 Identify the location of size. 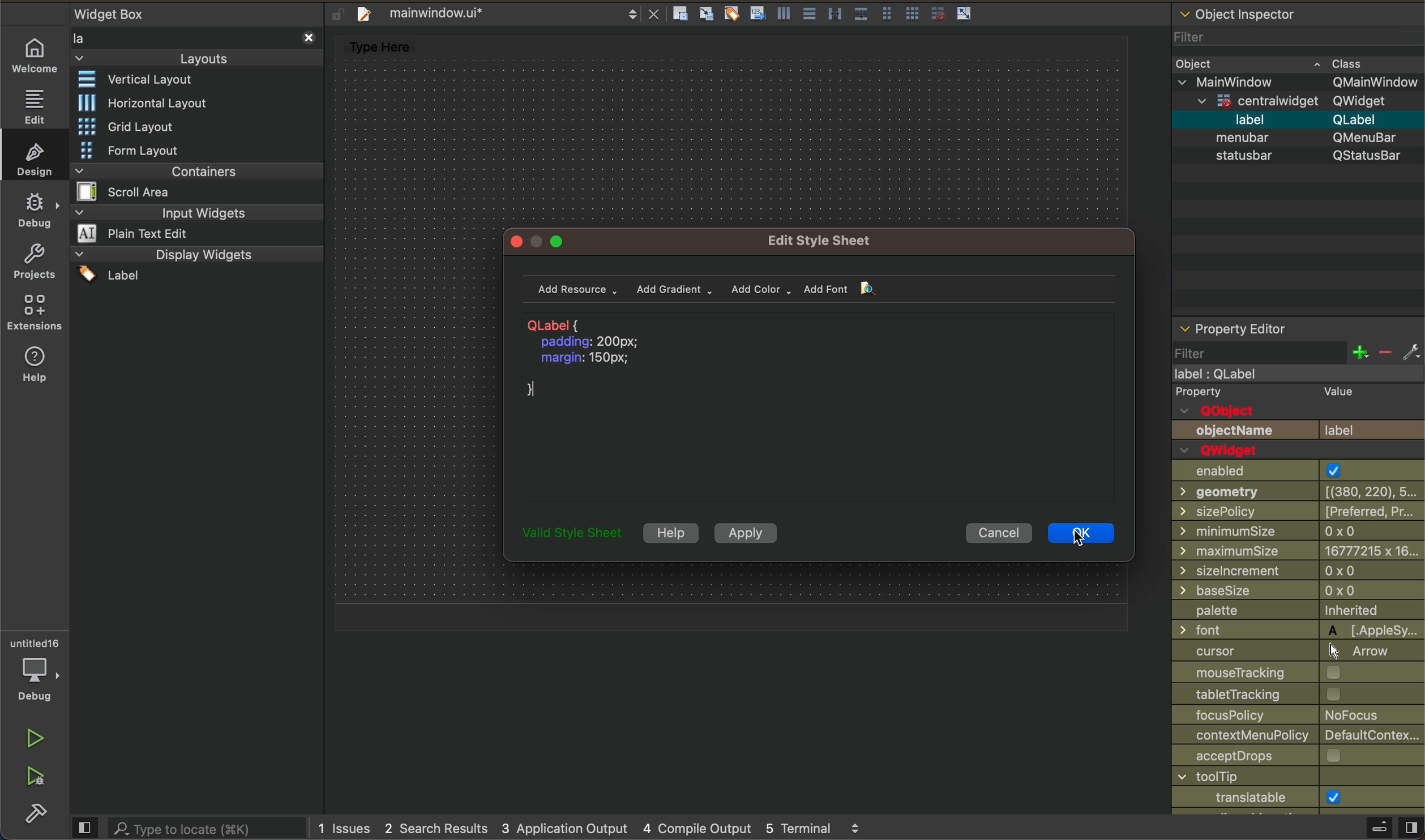
(1287, 533).